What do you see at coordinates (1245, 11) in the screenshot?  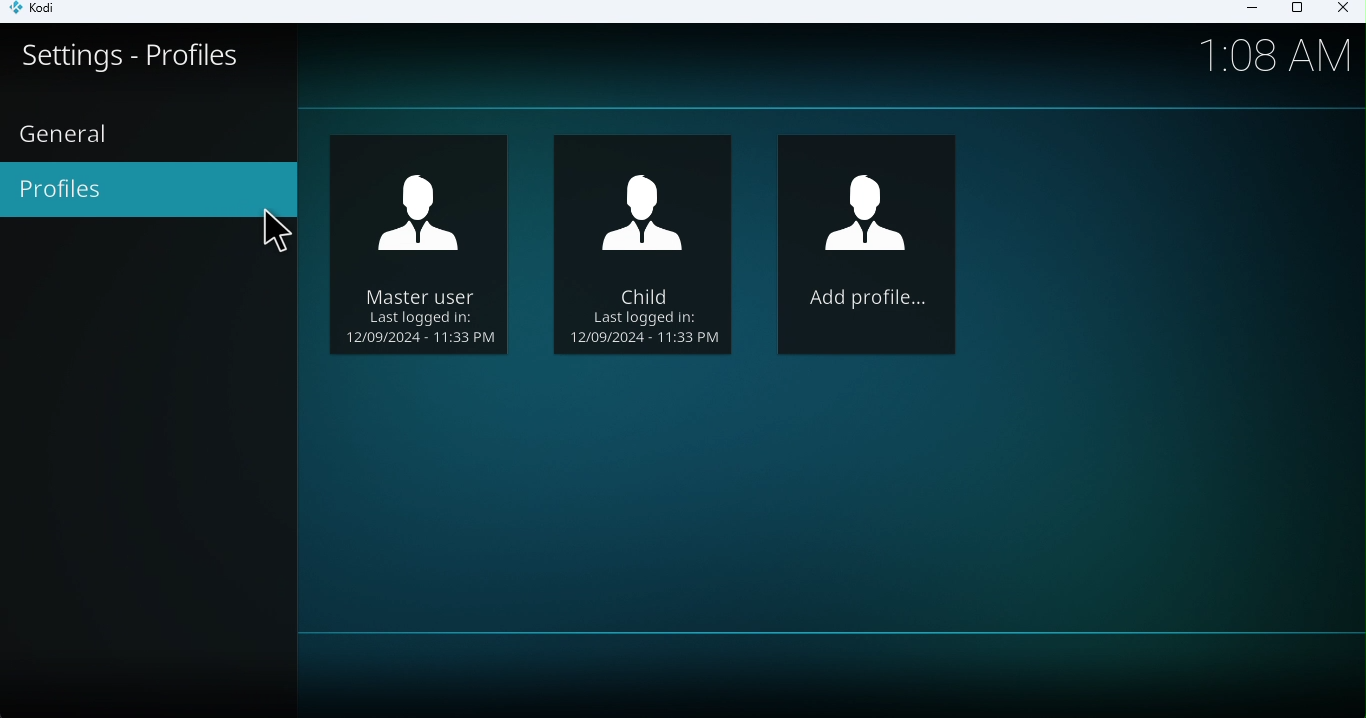 I see `Minimize` at bounding box center [1245, 11].